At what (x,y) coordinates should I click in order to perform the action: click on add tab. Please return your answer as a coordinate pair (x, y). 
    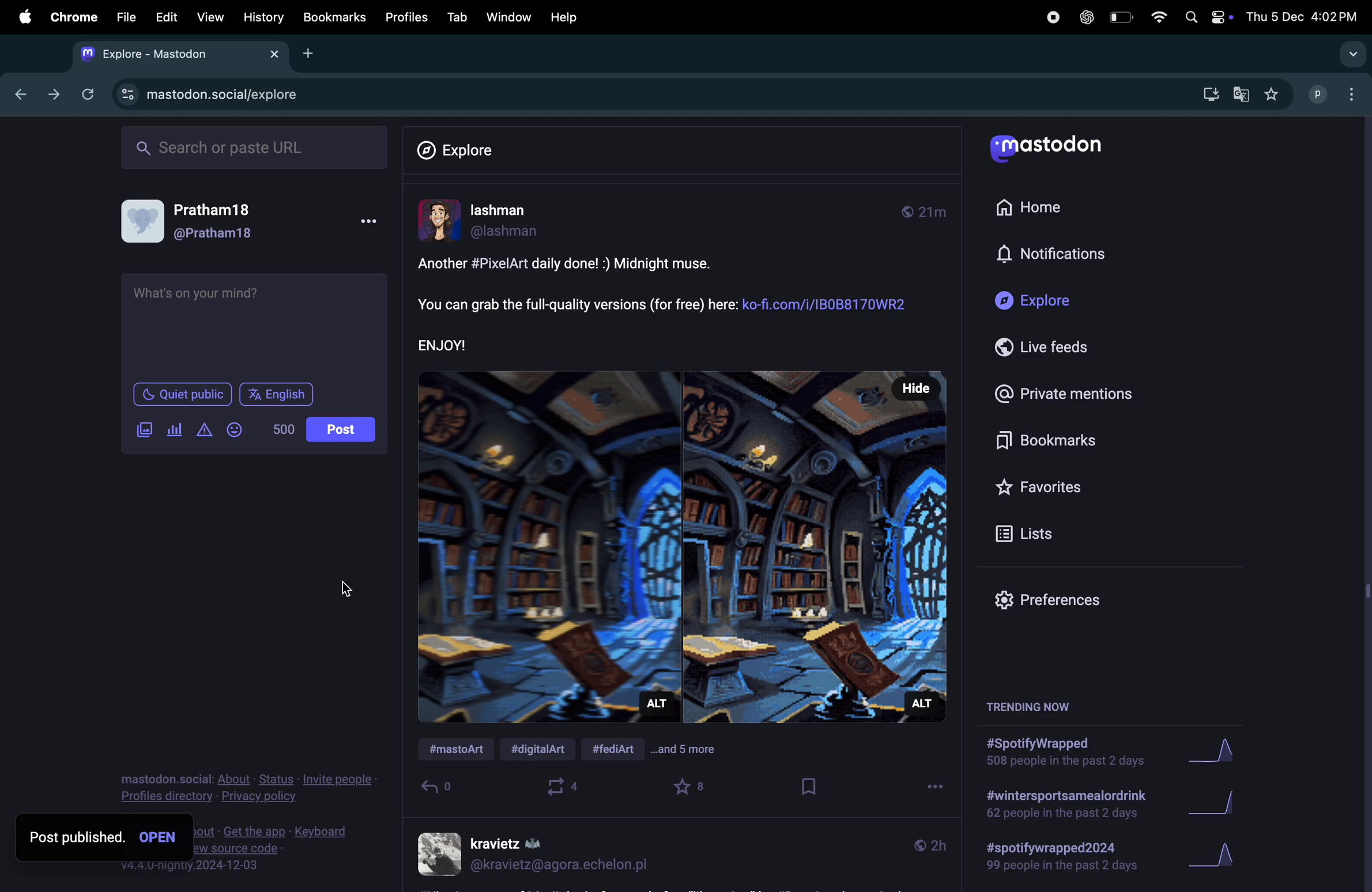
    Looking at the image, I should click on (311, 55).